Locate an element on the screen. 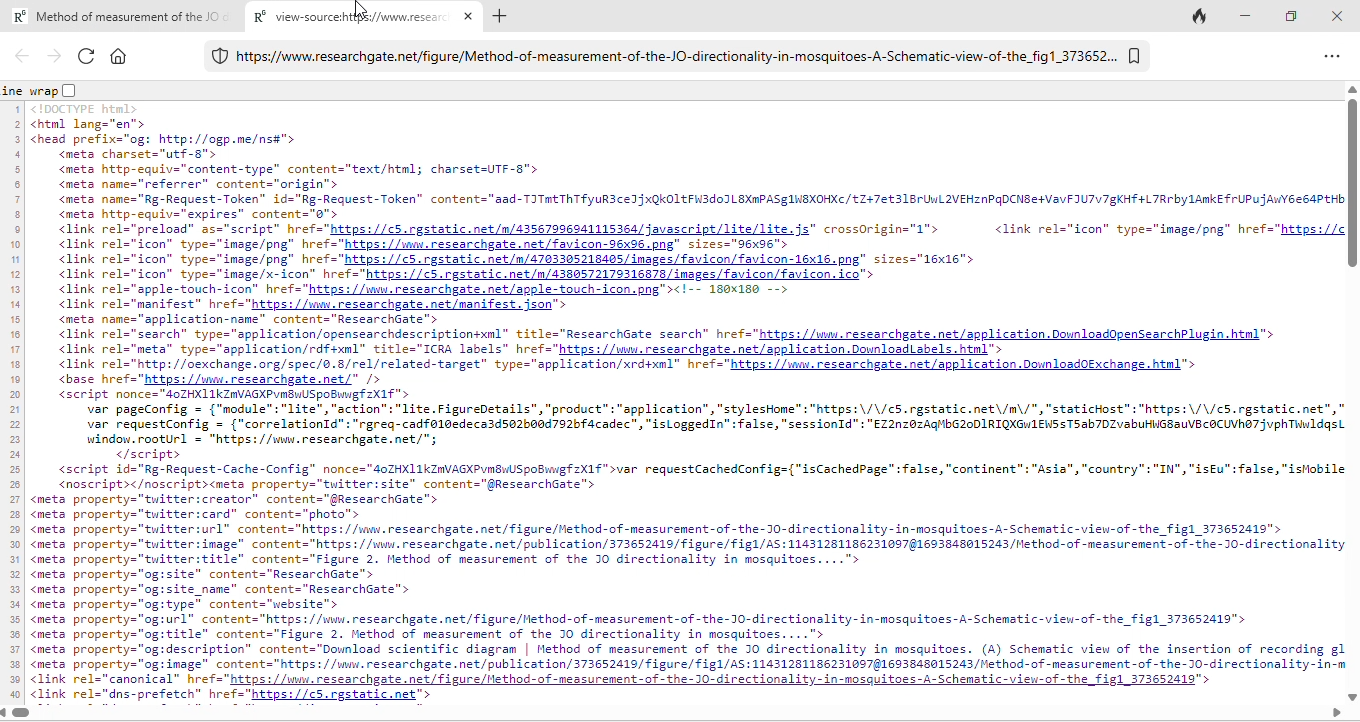 Image resolution: width=1360 pixels, height=722 pixels. move up is located at coordinates (1350, 89).